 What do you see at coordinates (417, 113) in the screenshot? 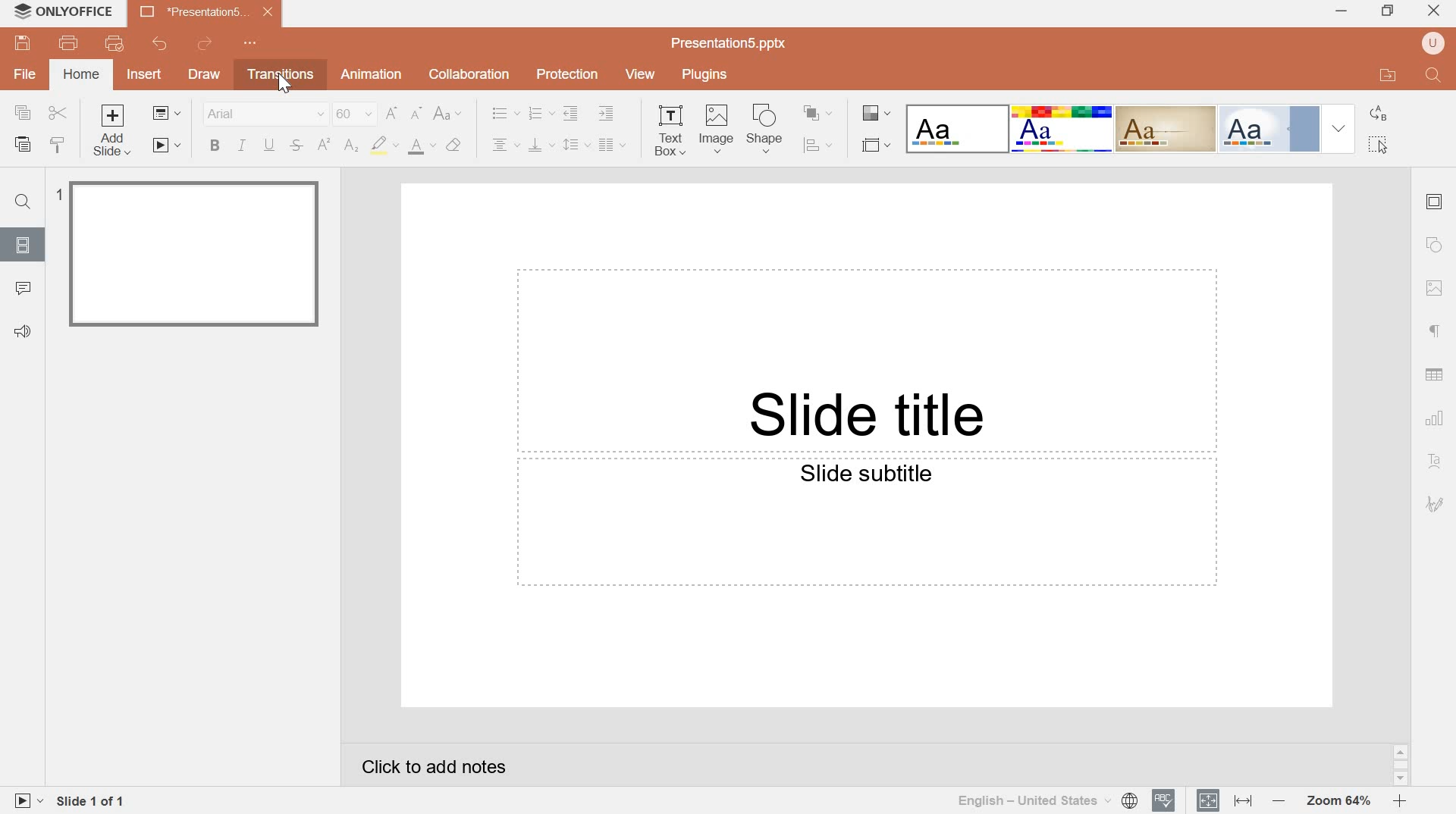
I see `decrement font size` at bounding box center [417, 113].